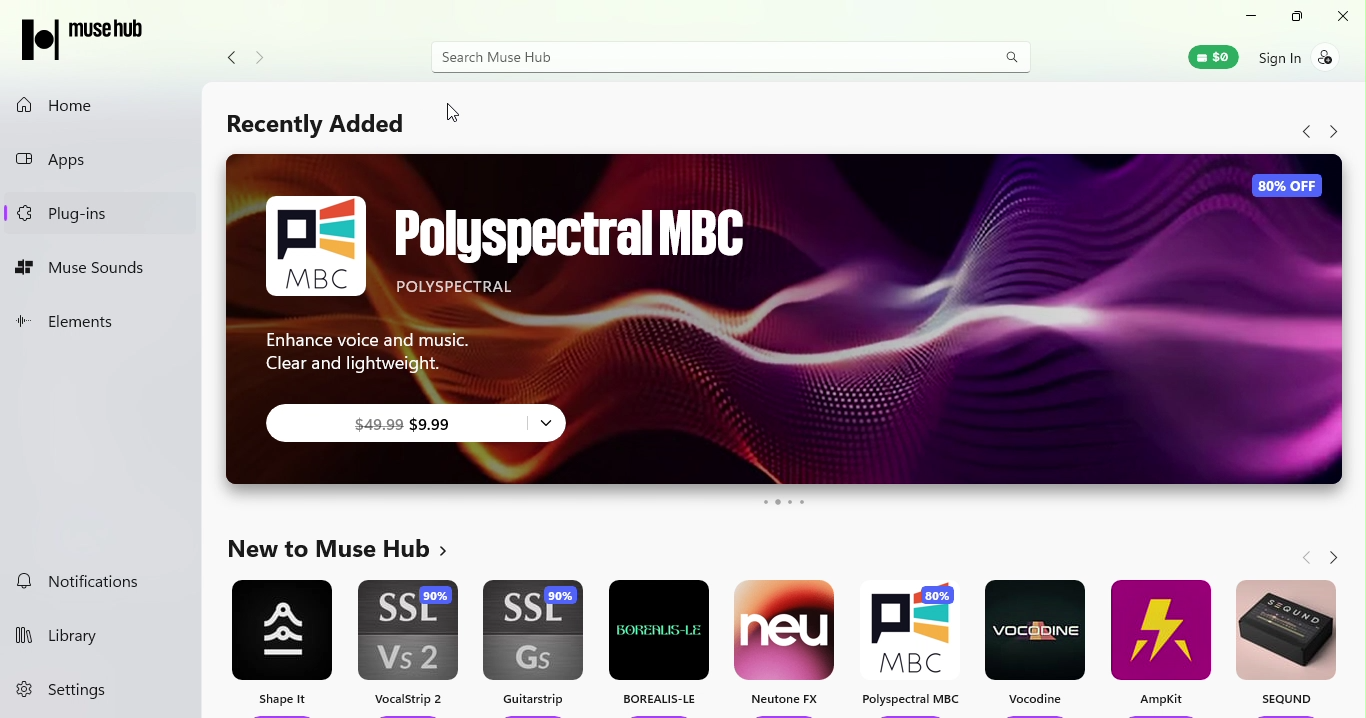  What do you see at coordinates (546, 422) in the screenshot?
I see `subscription options` at bounding box center [546, 422].